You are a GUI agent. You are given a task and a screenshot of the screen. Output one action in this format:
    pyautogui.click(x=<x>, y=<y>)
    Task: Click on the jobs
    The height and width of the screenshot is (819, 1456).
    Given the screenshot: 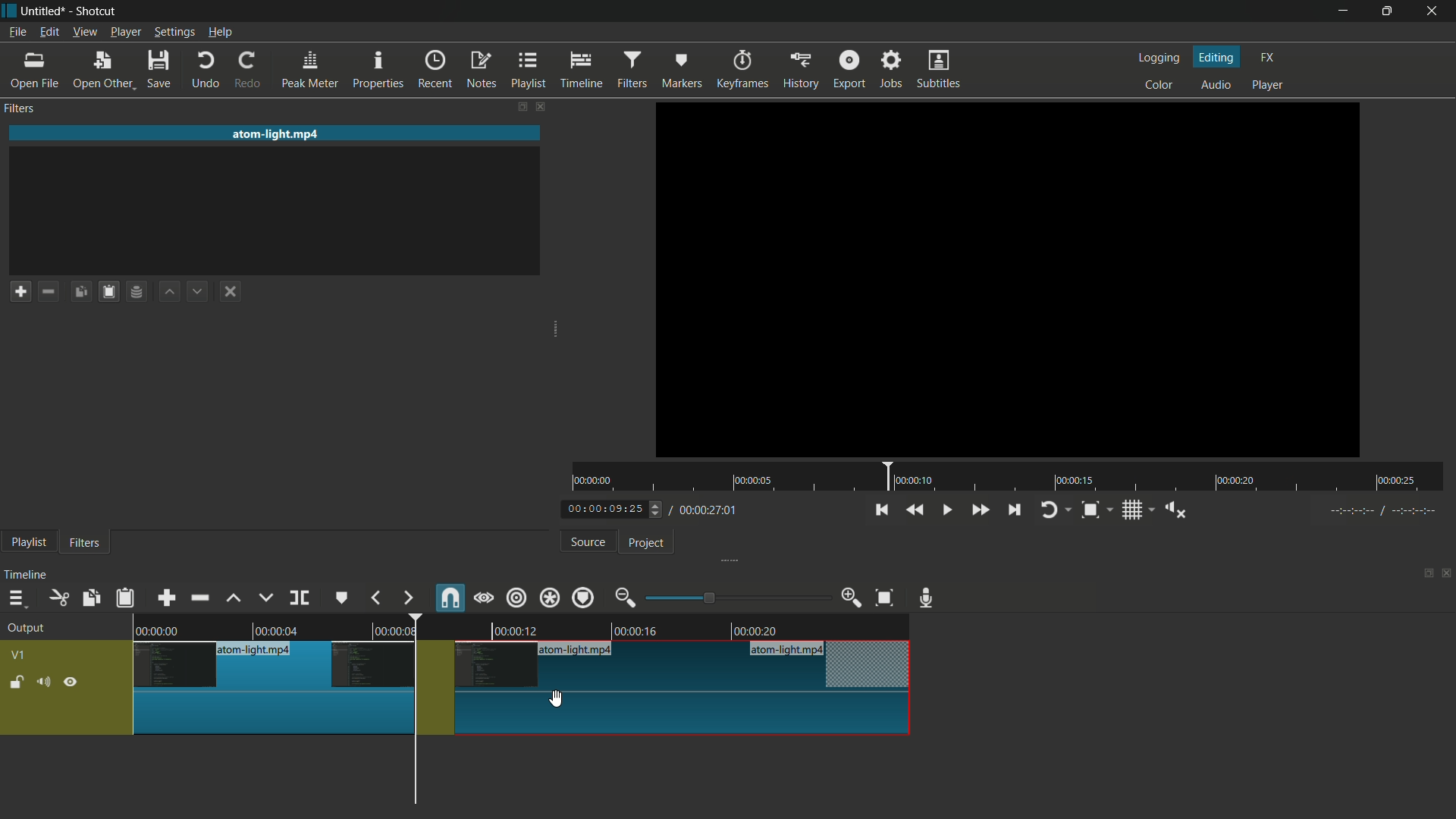 What is the action you would take?
    pyautogui.click(x=893, y=67)
    